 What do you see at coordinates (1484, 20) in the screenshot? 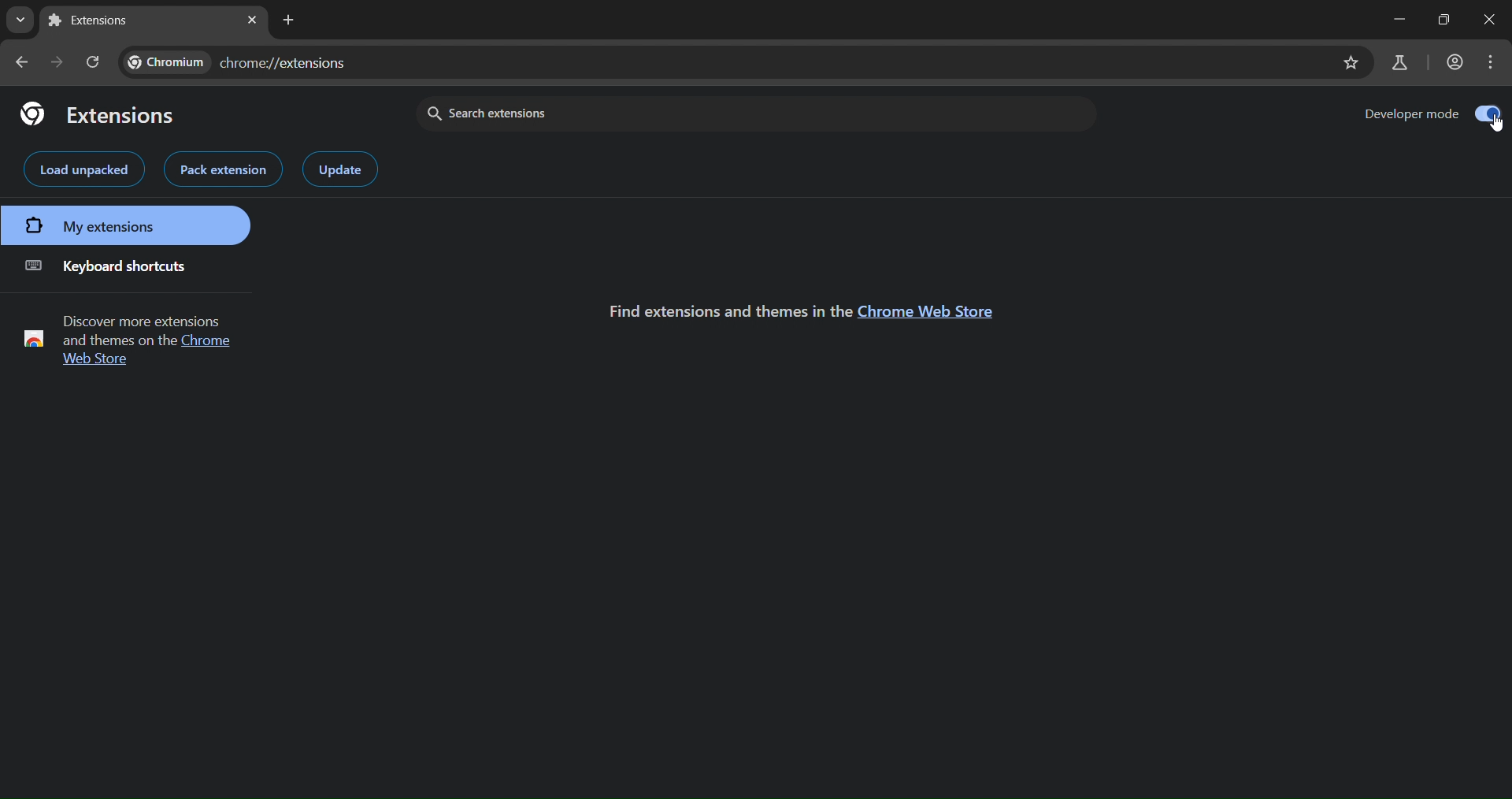
I see `close` at bounding box center [1484, 20].